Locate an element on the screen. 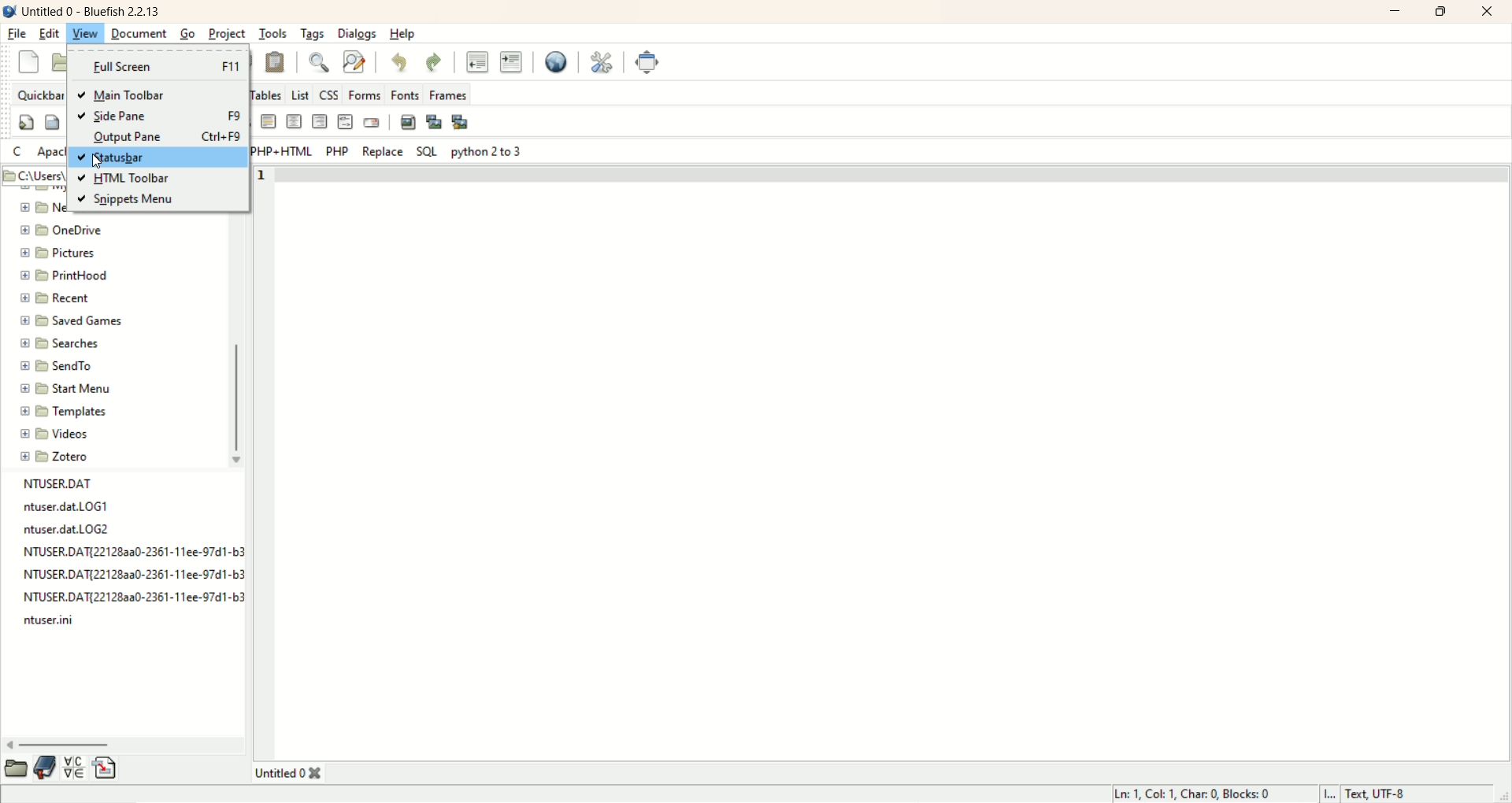  location is located at coordinates (33, 172).